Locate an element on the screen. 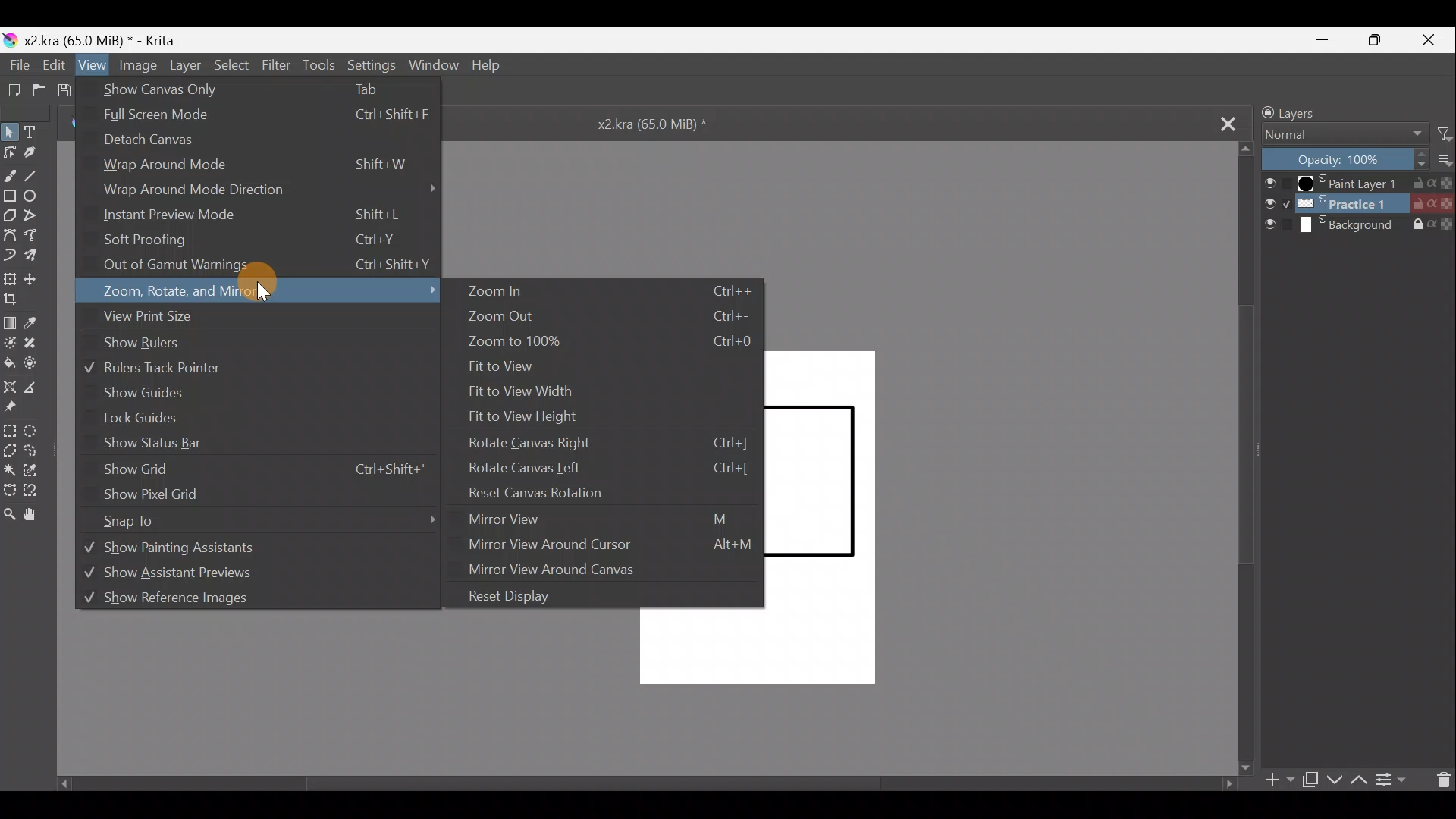  Duplicate layer/mask is located at coordinates (1309, 780).